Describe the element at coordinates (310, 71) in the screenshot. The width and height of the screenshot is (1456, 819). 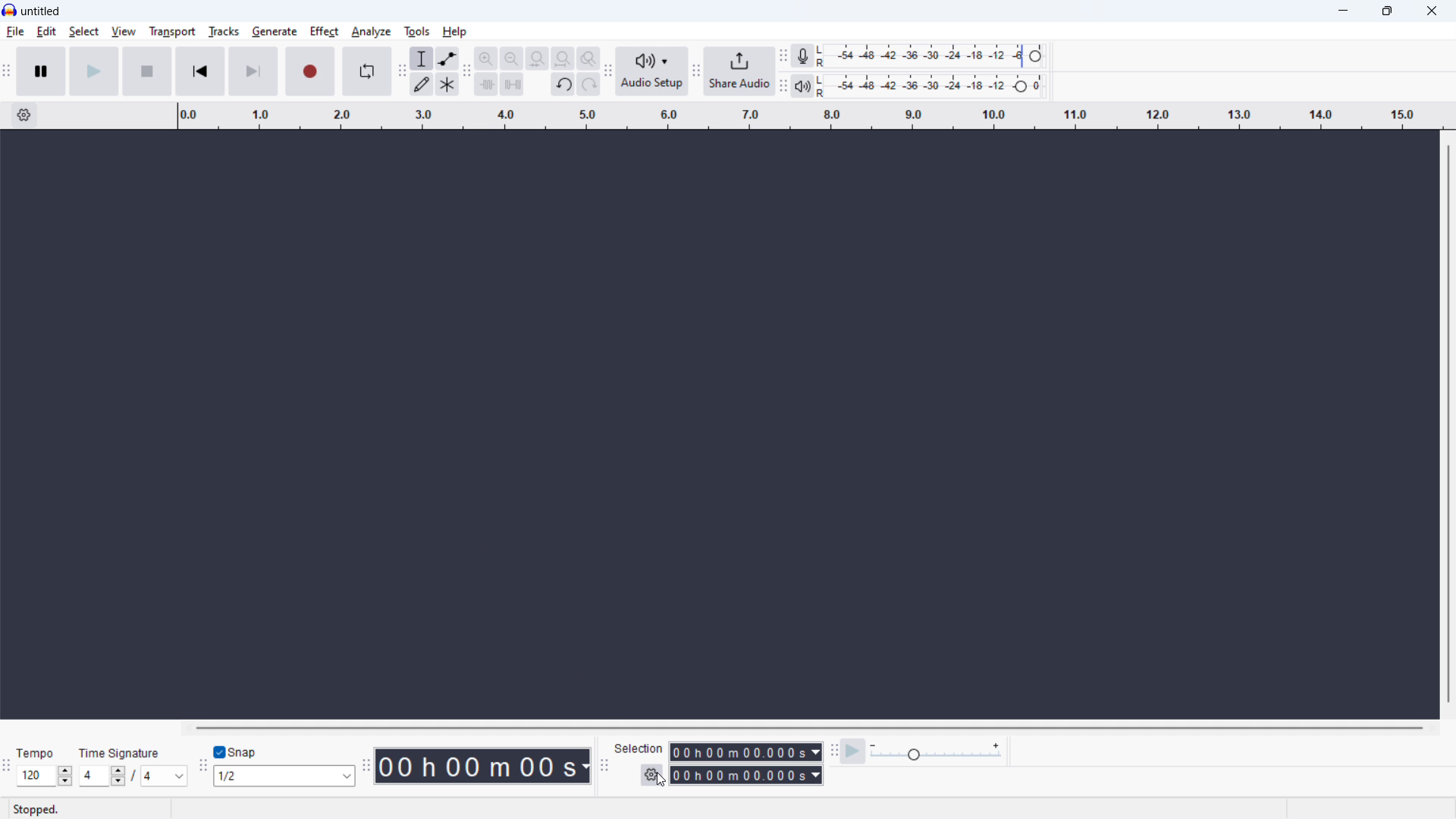
I see `record` at that location.